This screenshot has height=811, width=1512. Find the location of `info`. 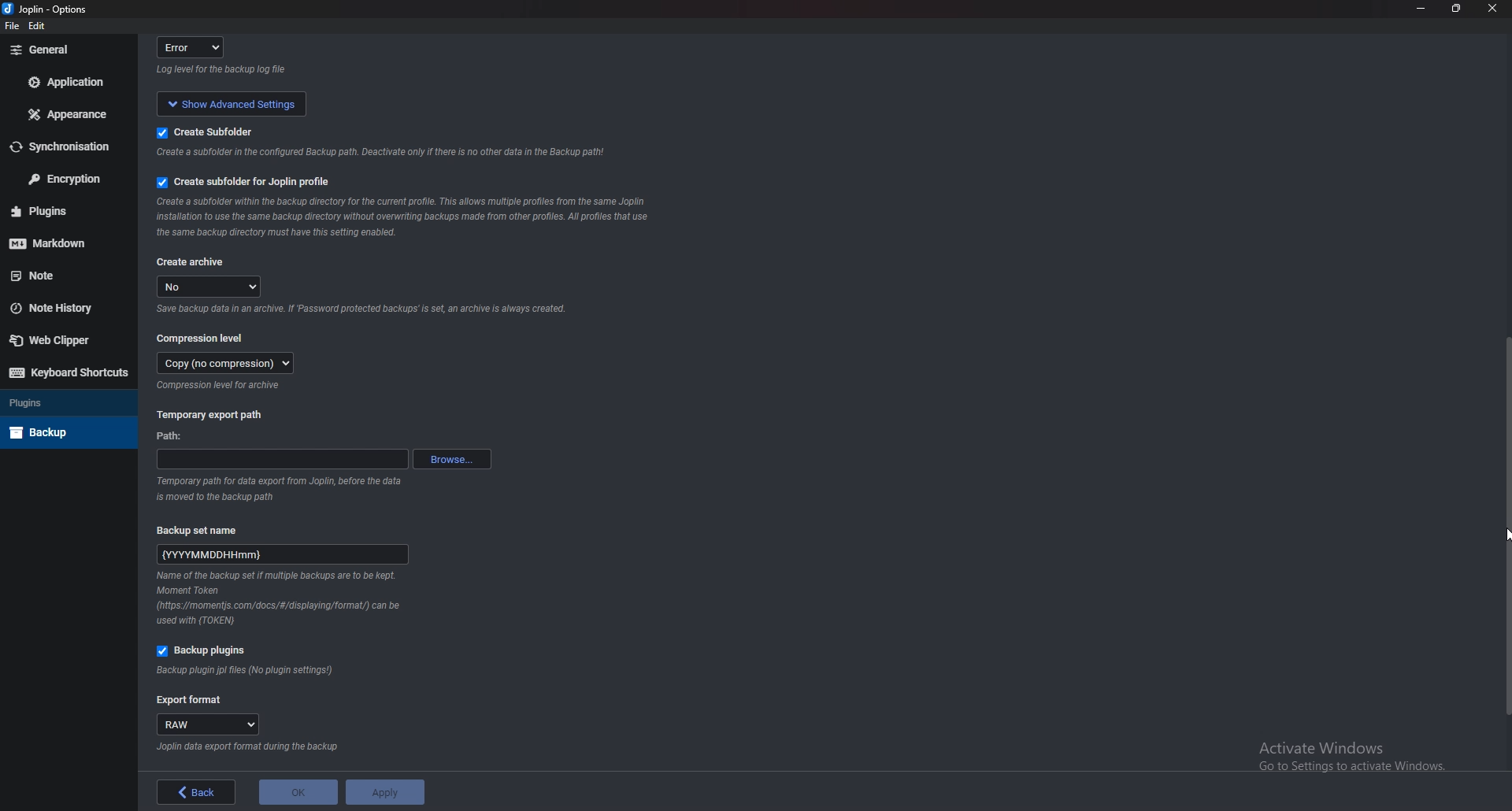

info is located at coordinates (224, 70).